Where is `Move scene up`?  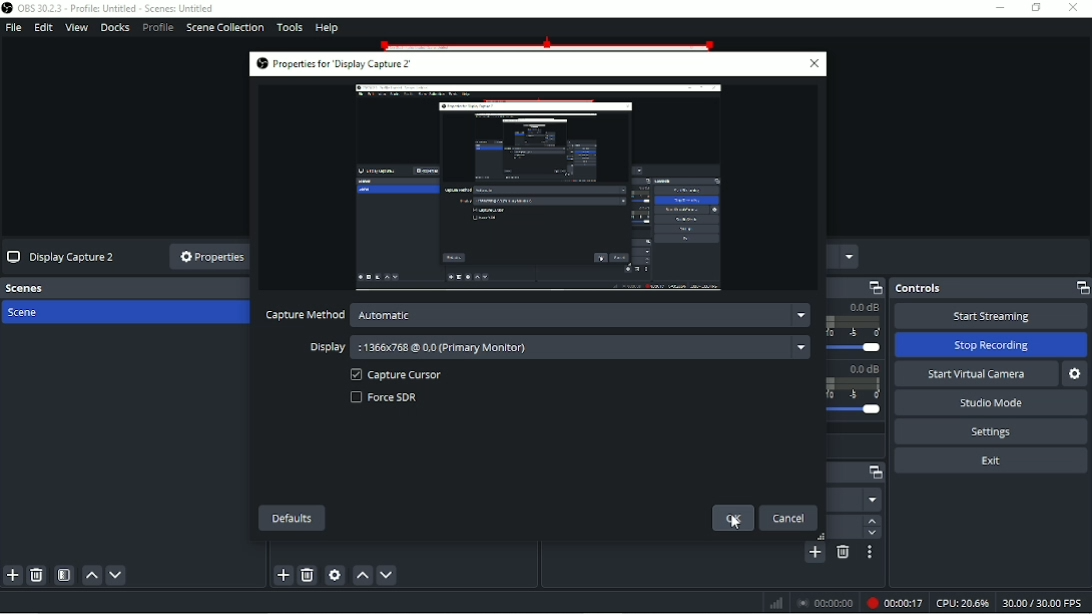 Move scene up is located at coordinates (90, 575).